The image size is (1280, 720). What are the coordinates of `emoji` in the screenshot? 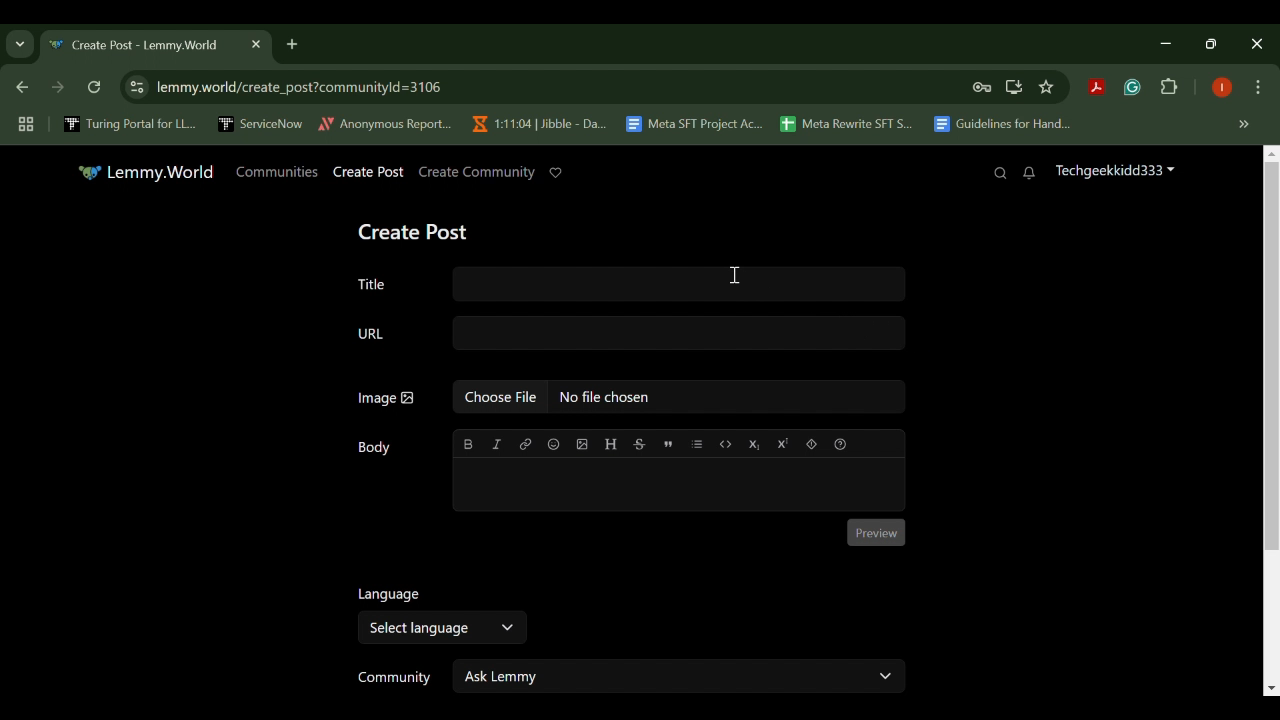 It's located at (552, 444).